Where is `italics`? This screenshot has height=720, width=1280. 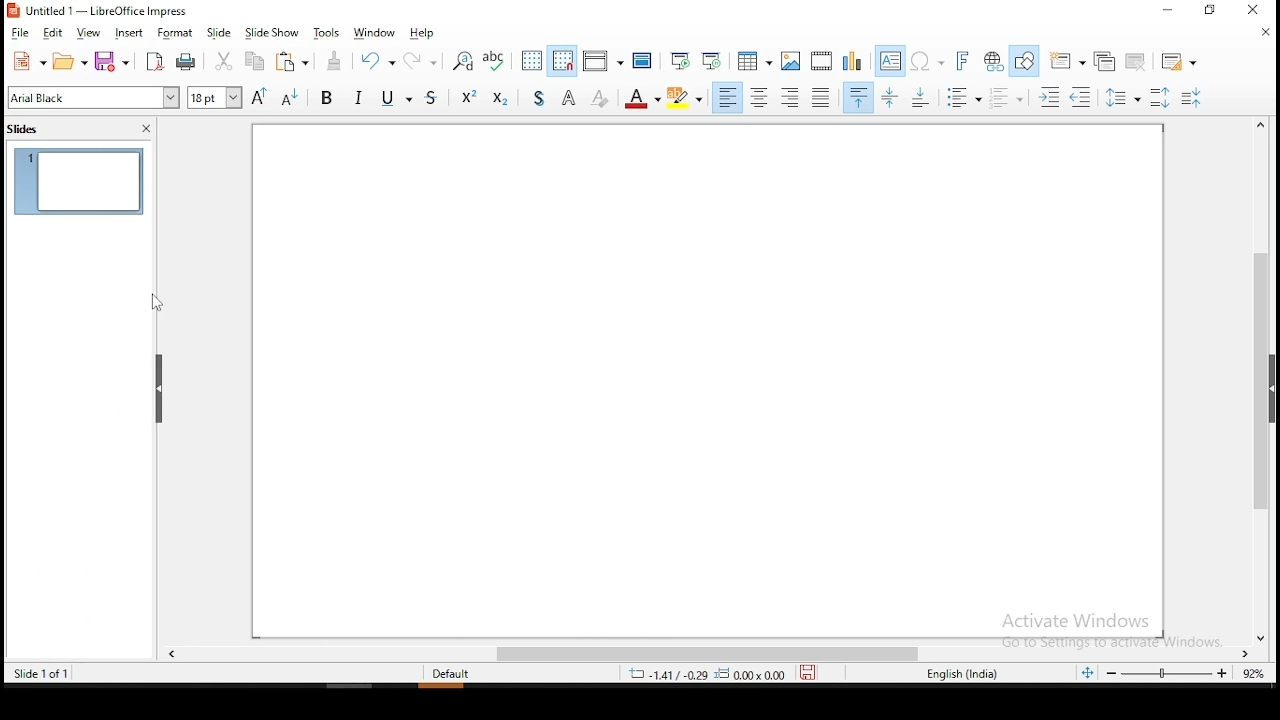
italics is located at coordinates (362, 98).